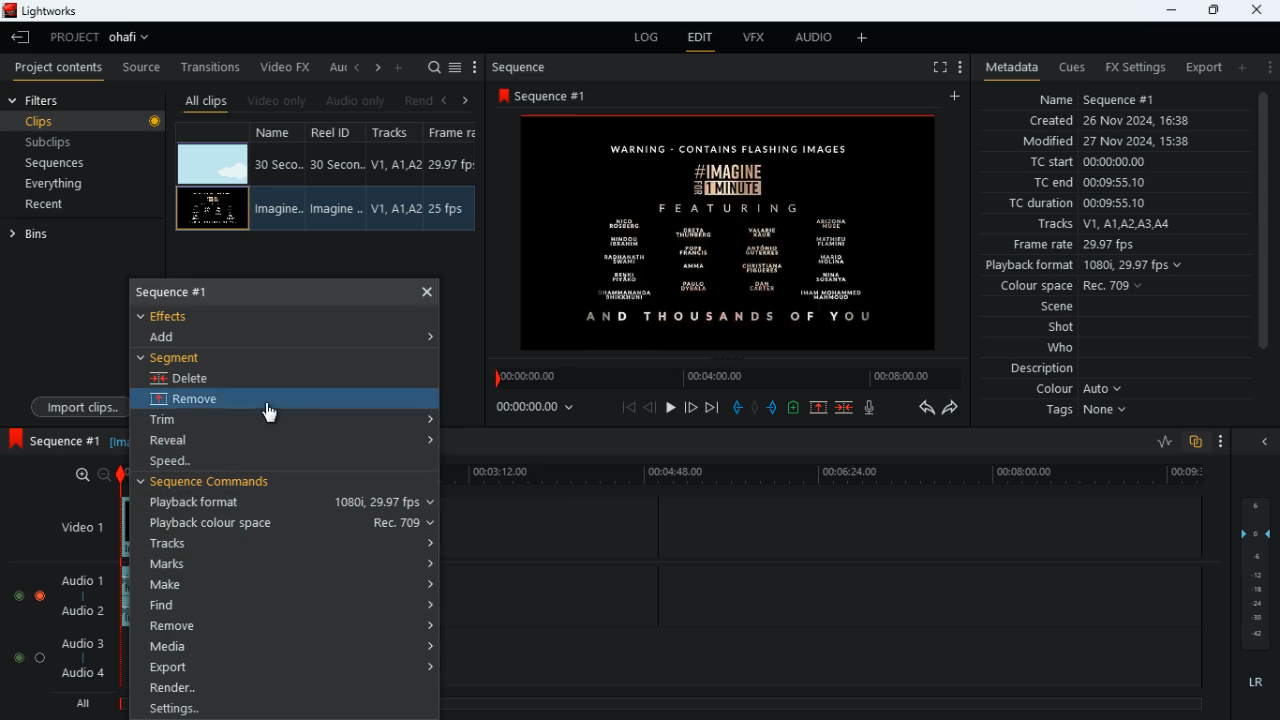 The image size is (1280, 720). I want to click on ratio, so click(1166, 441).